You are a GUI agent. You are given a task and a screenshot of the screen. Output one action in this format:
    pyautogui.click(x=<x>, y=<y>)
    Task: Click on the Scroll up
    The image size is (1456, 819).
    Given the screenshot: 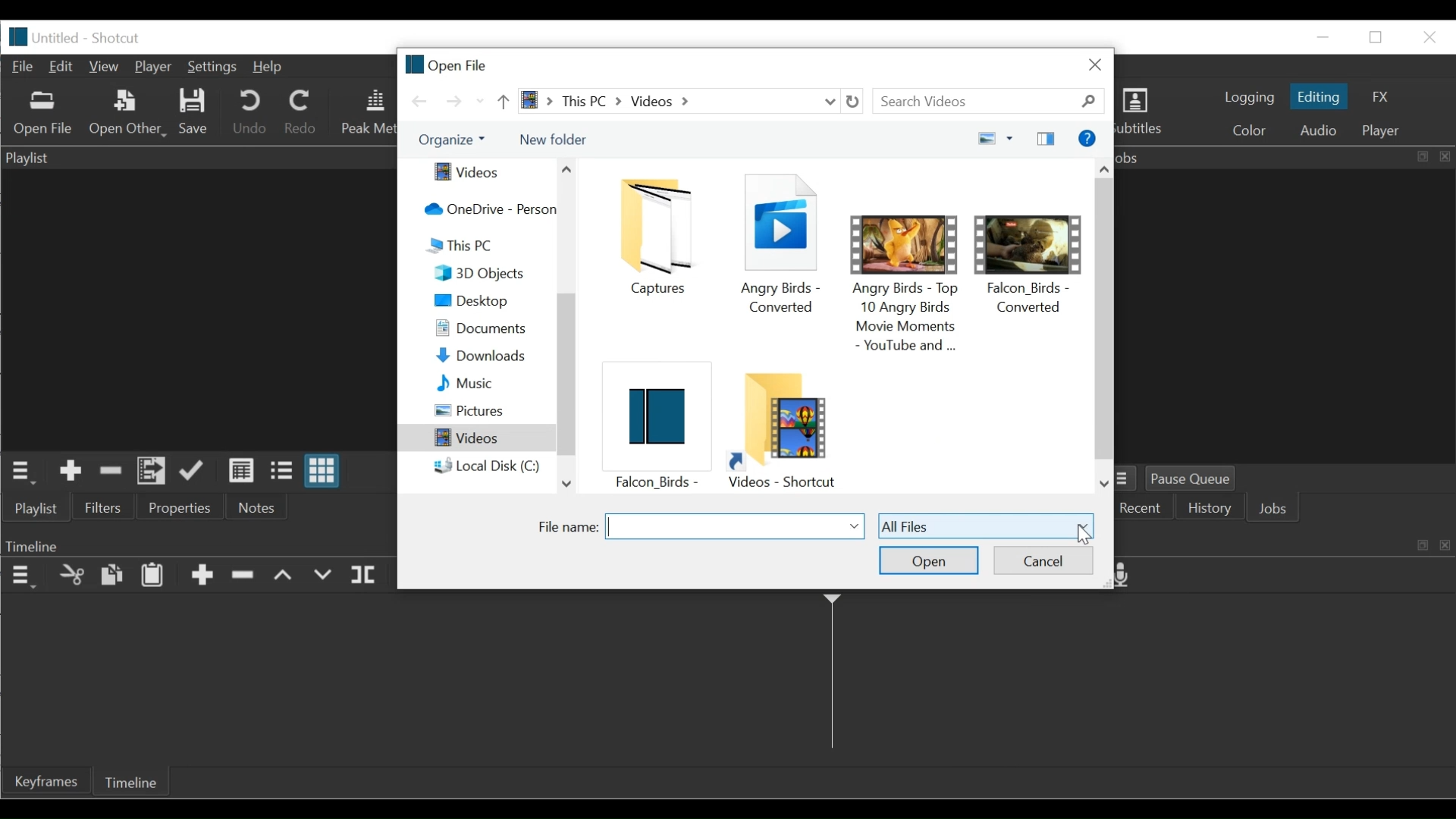 What is the action you would take?
    pyautogui.click(x=1105, y=166)
    